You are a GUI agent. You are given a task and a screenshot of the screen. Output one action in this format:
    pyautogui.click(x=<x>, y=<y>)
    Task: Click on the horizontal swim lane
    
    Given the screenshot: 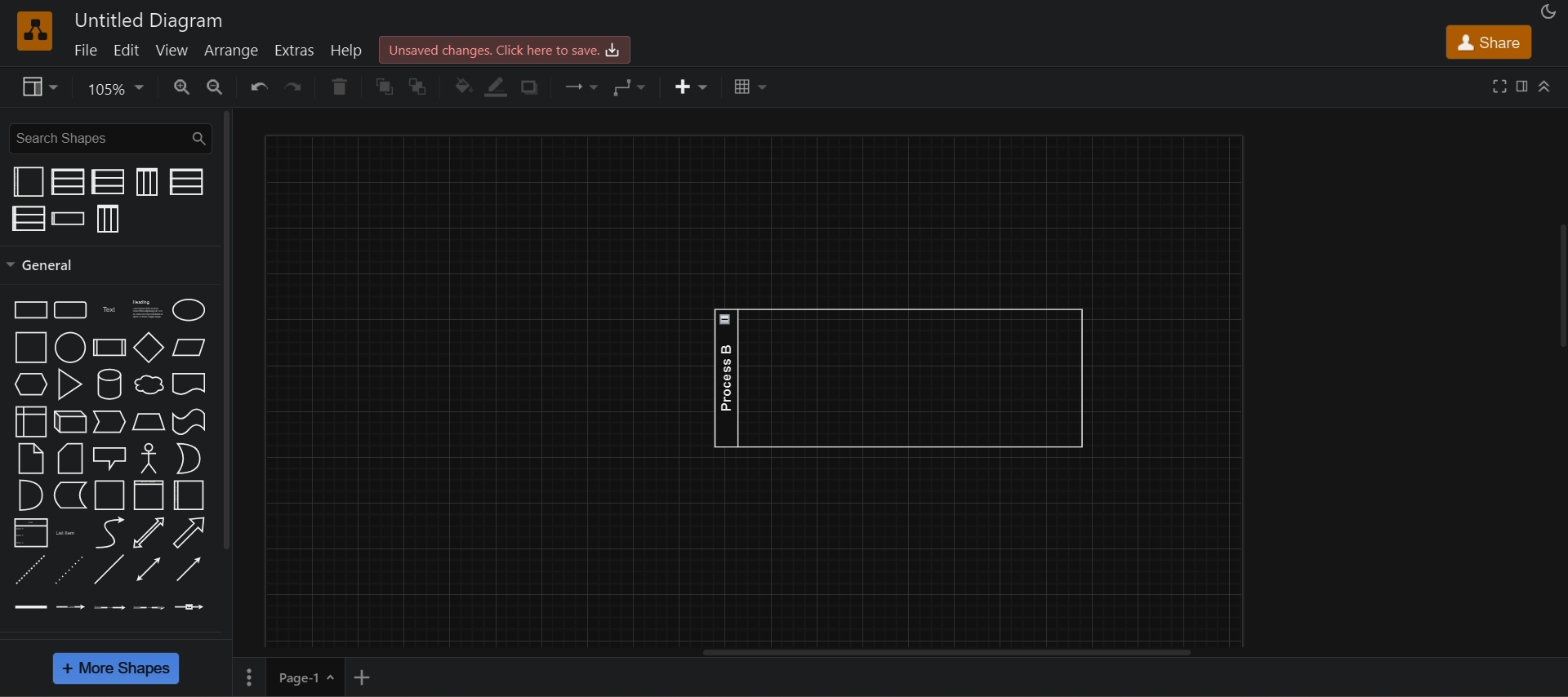 What is the action you would take?
    pyautogui.click(x=69, y=217)
    